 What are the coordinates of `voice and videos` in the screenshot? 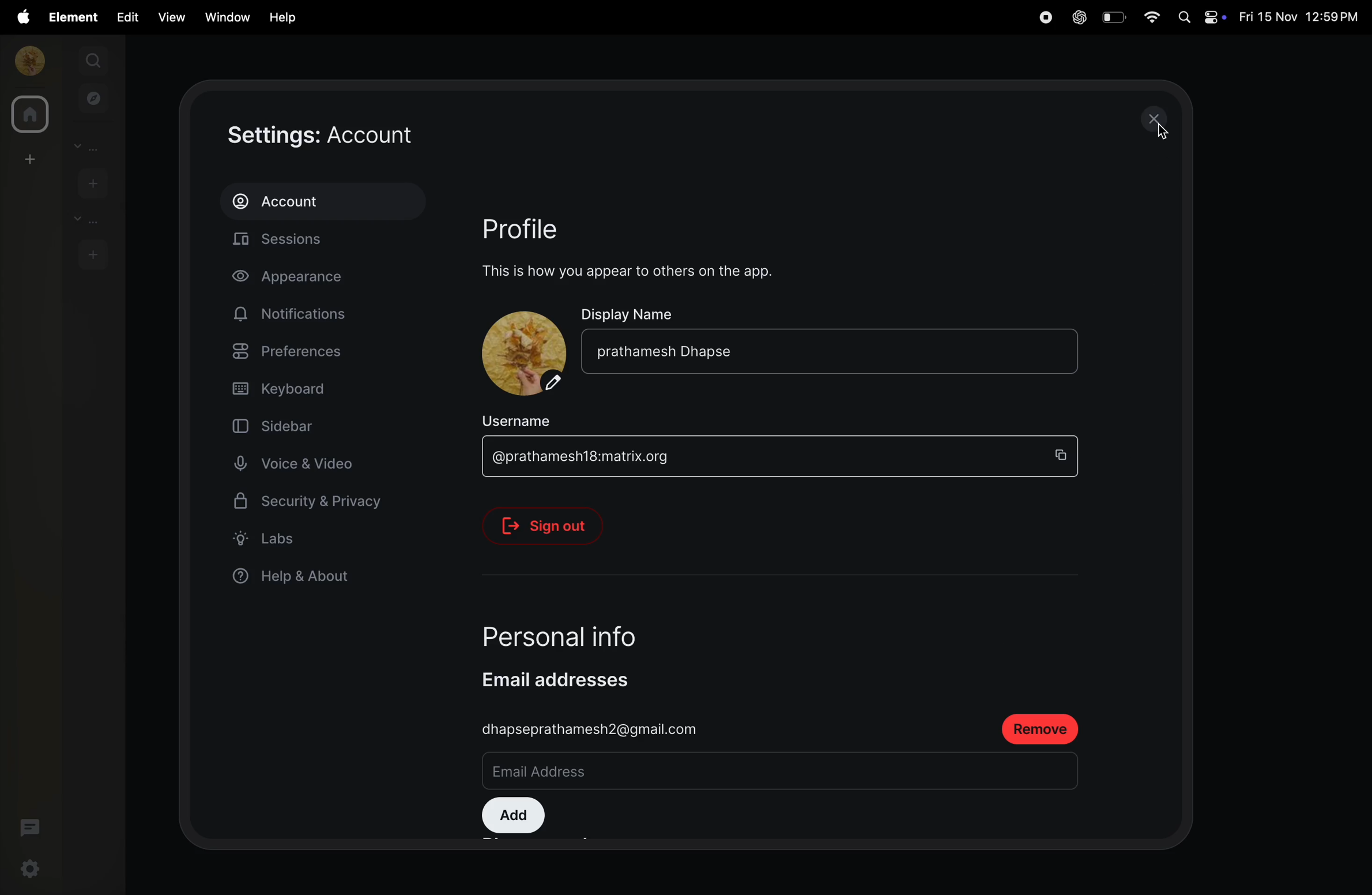 It's located at (300, 464).